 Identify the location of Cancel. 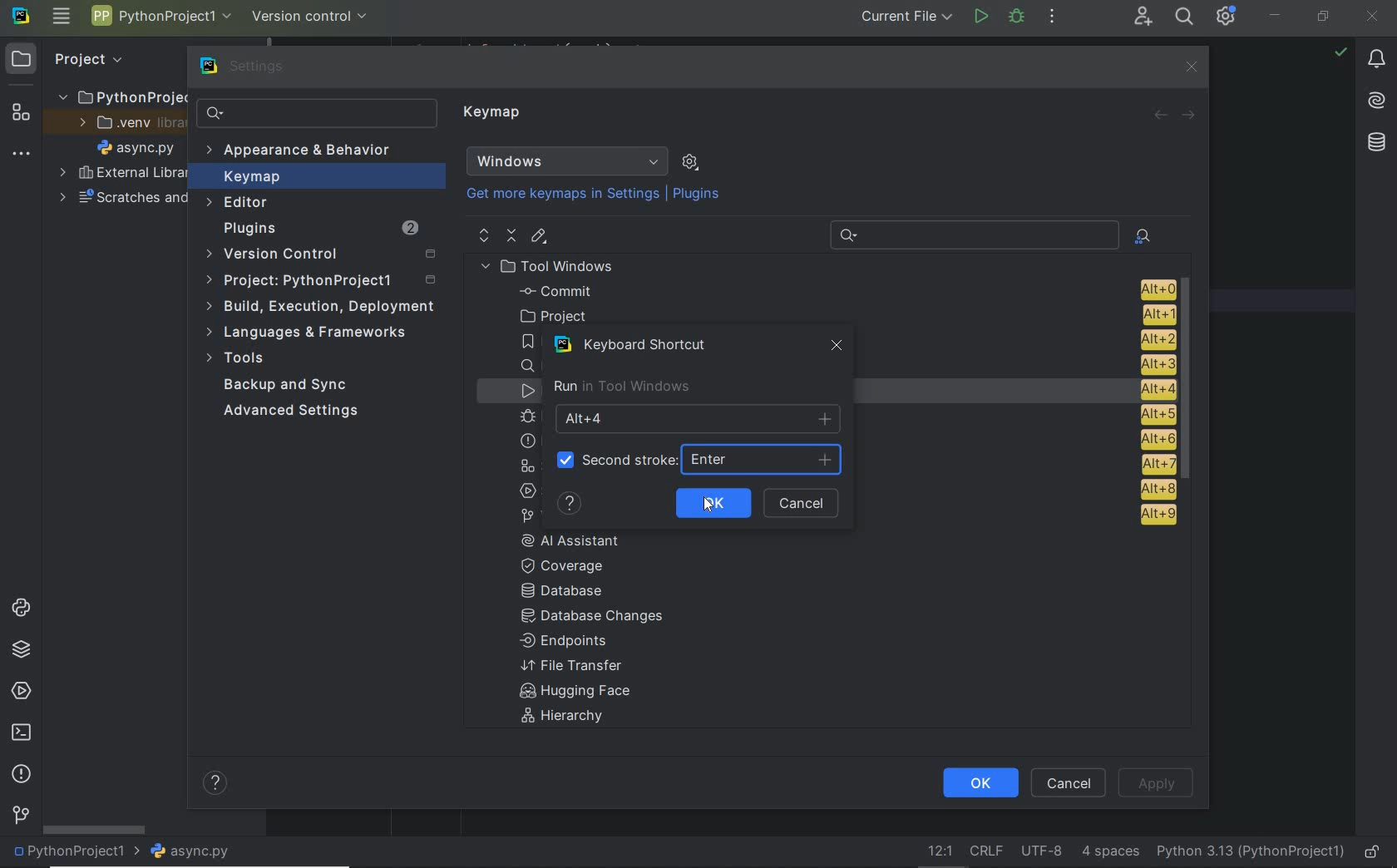
(1071, 782).